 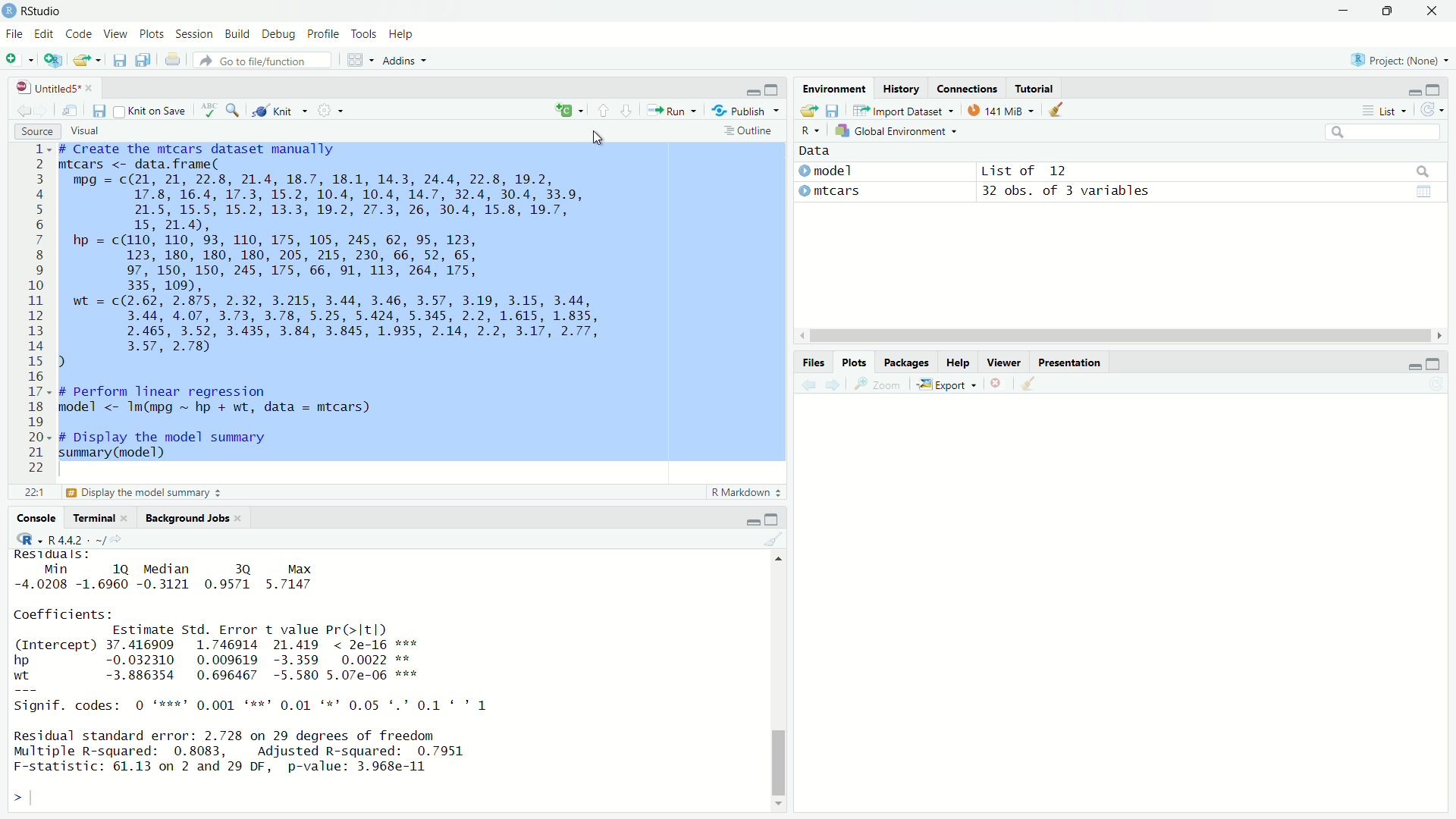 What do you see at coordinates (174, 60) in the screenshot?
I see `print the current file` at bounding box center [174, 60].